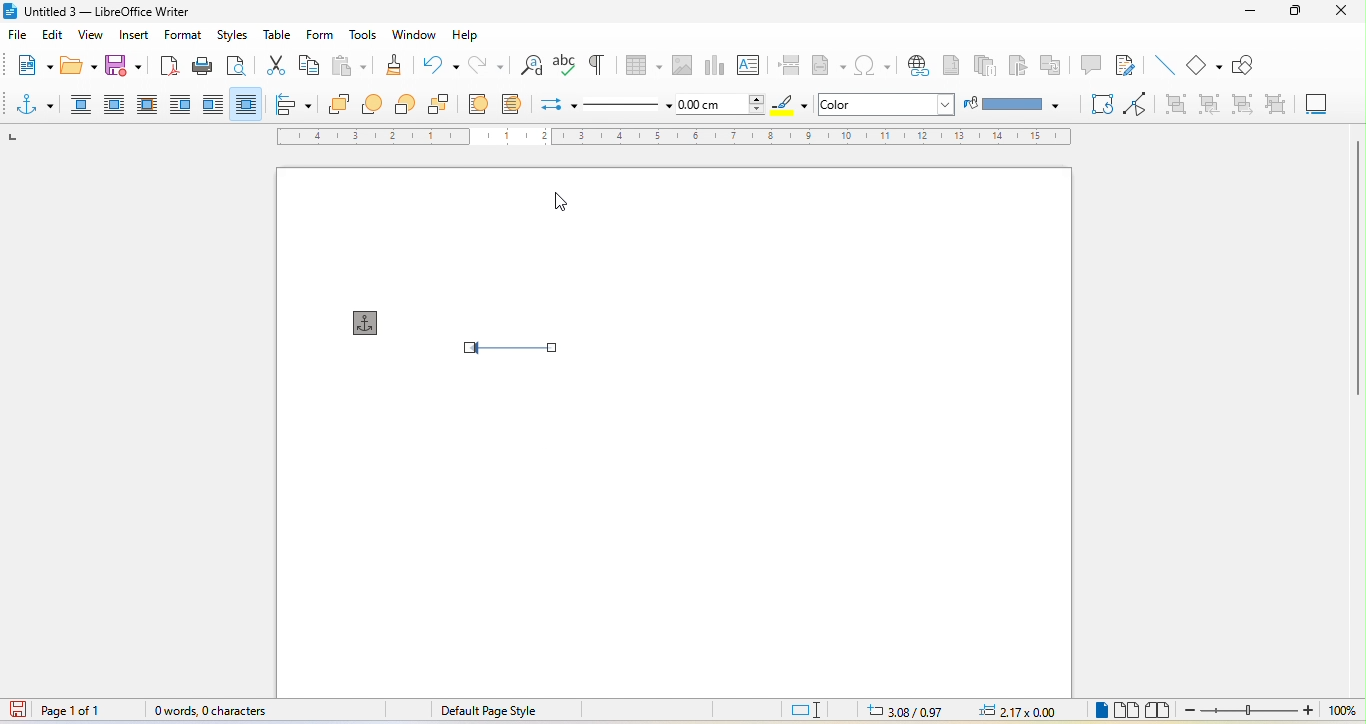 The image size is (1366, 724). Describe the element at coordinates (167, 65) in the screenshot. I see `export directly as pdf` at that location.